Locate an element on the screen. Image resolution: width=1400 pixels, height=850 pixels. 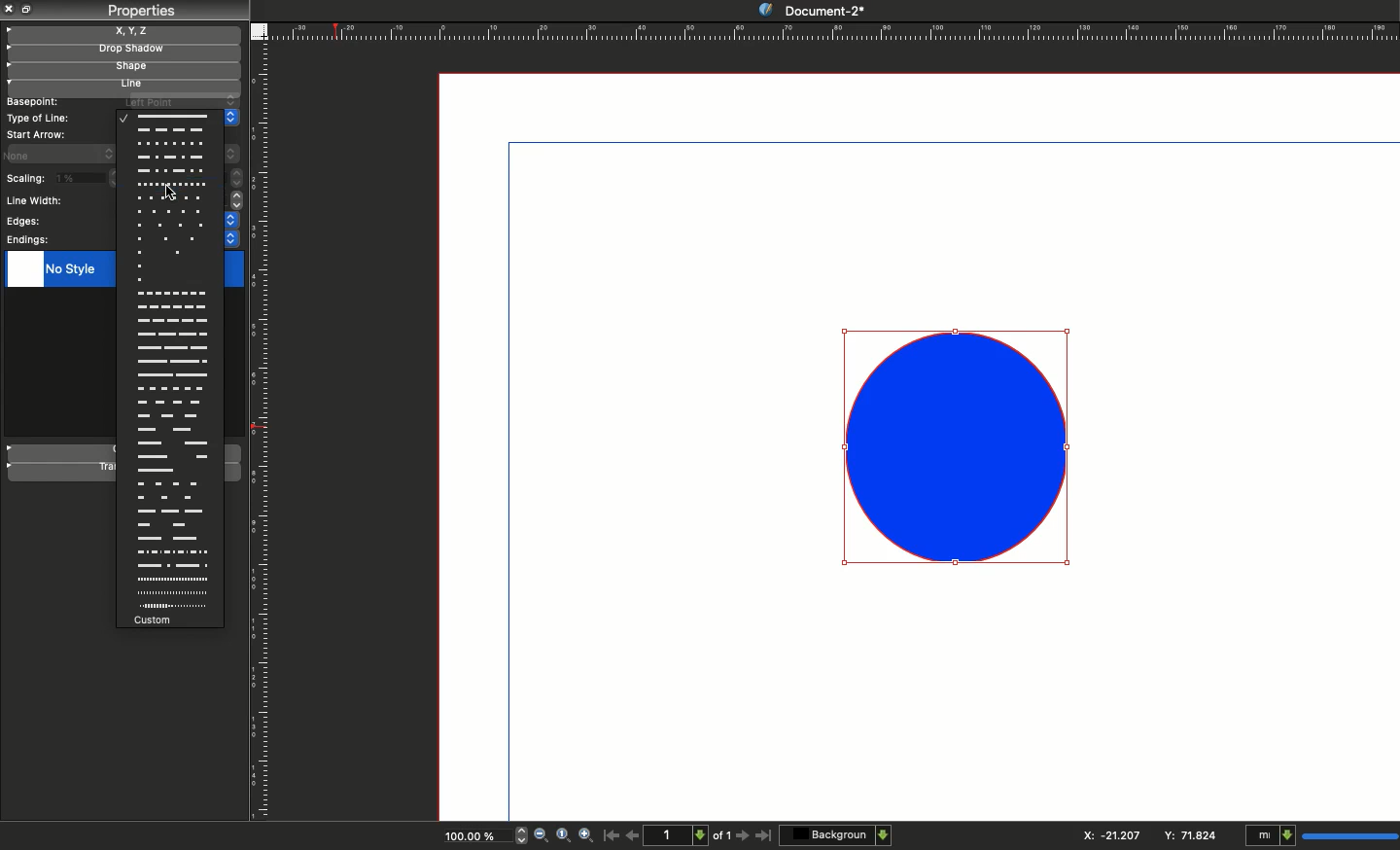
line option is located at coordinates (171, 388).